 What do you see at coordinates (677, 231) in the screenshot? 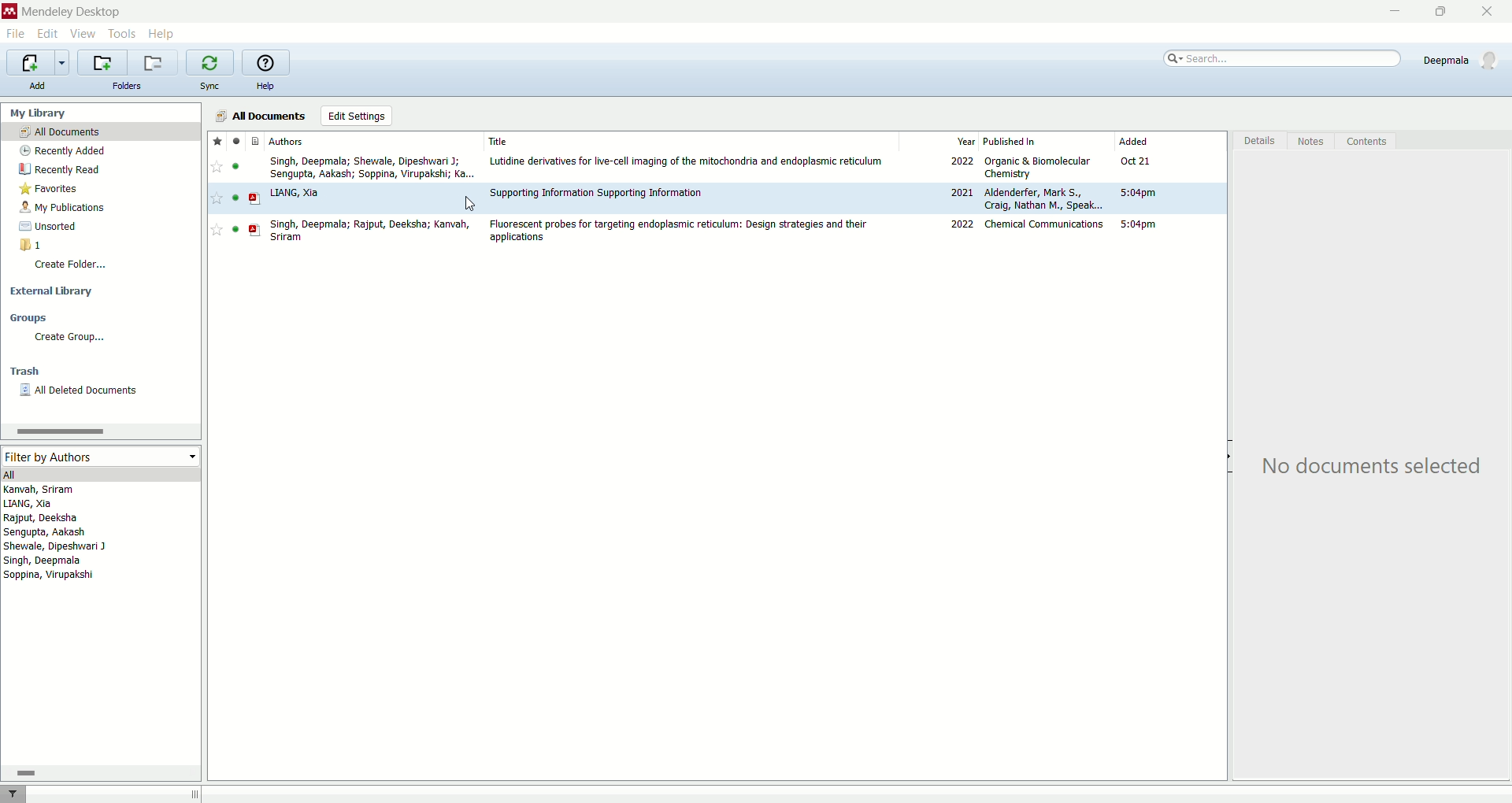
I see `Fluorescent probes for targeting endoplasmic reticulum: Design strategies and their applications` at bounding box center [677, 231].